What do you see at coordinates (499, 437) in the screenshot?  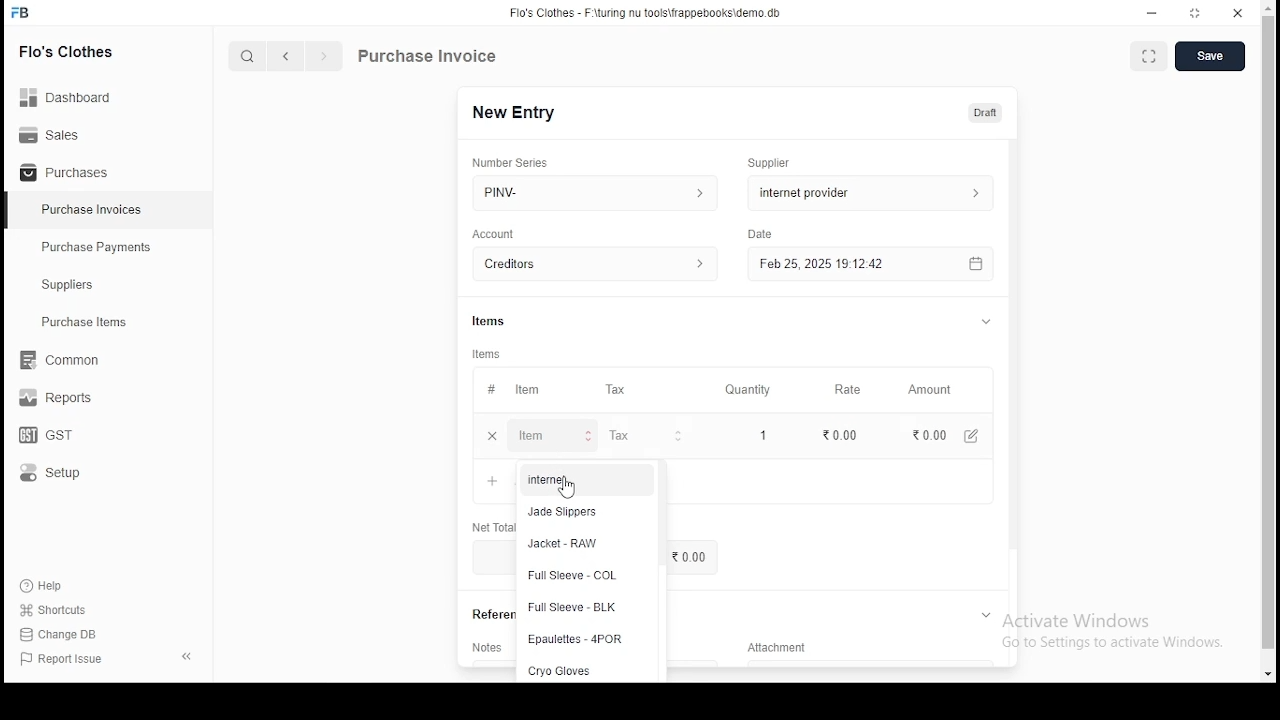 I see `+` at bounding box center [499, 437].